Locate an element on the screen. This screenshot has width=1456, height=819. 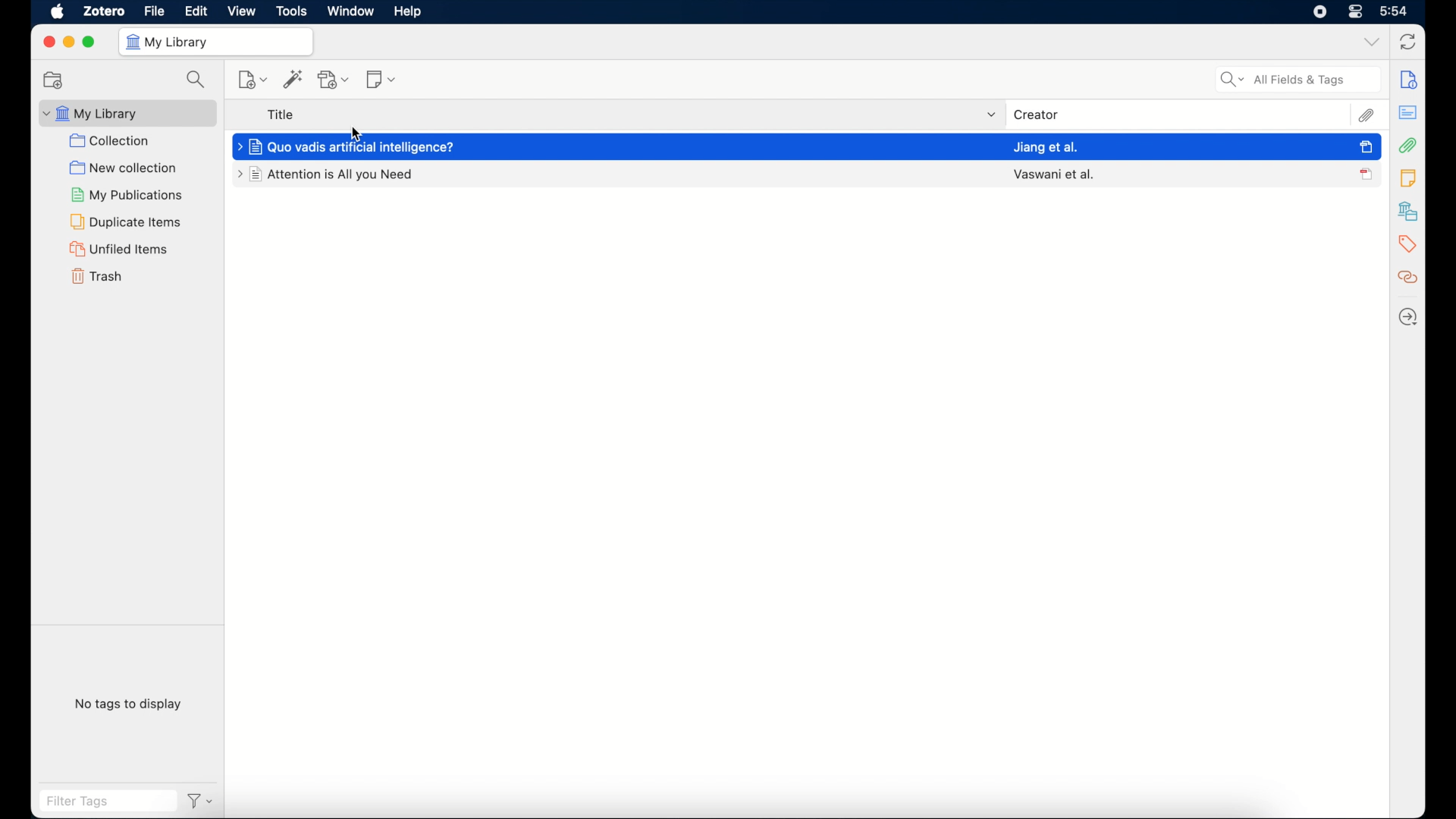
search fields and tags is located at coordinates (1298, 79).